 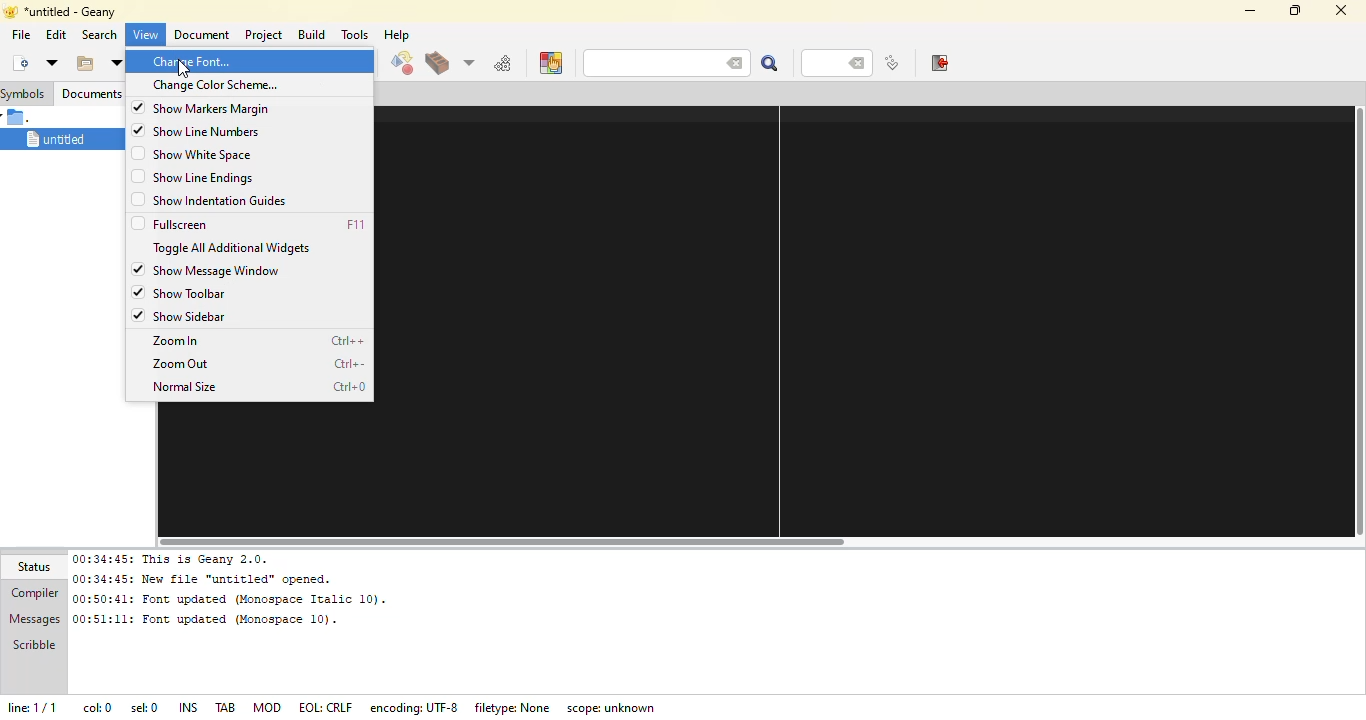 I want to click on back space, so click(x=859, y=64).